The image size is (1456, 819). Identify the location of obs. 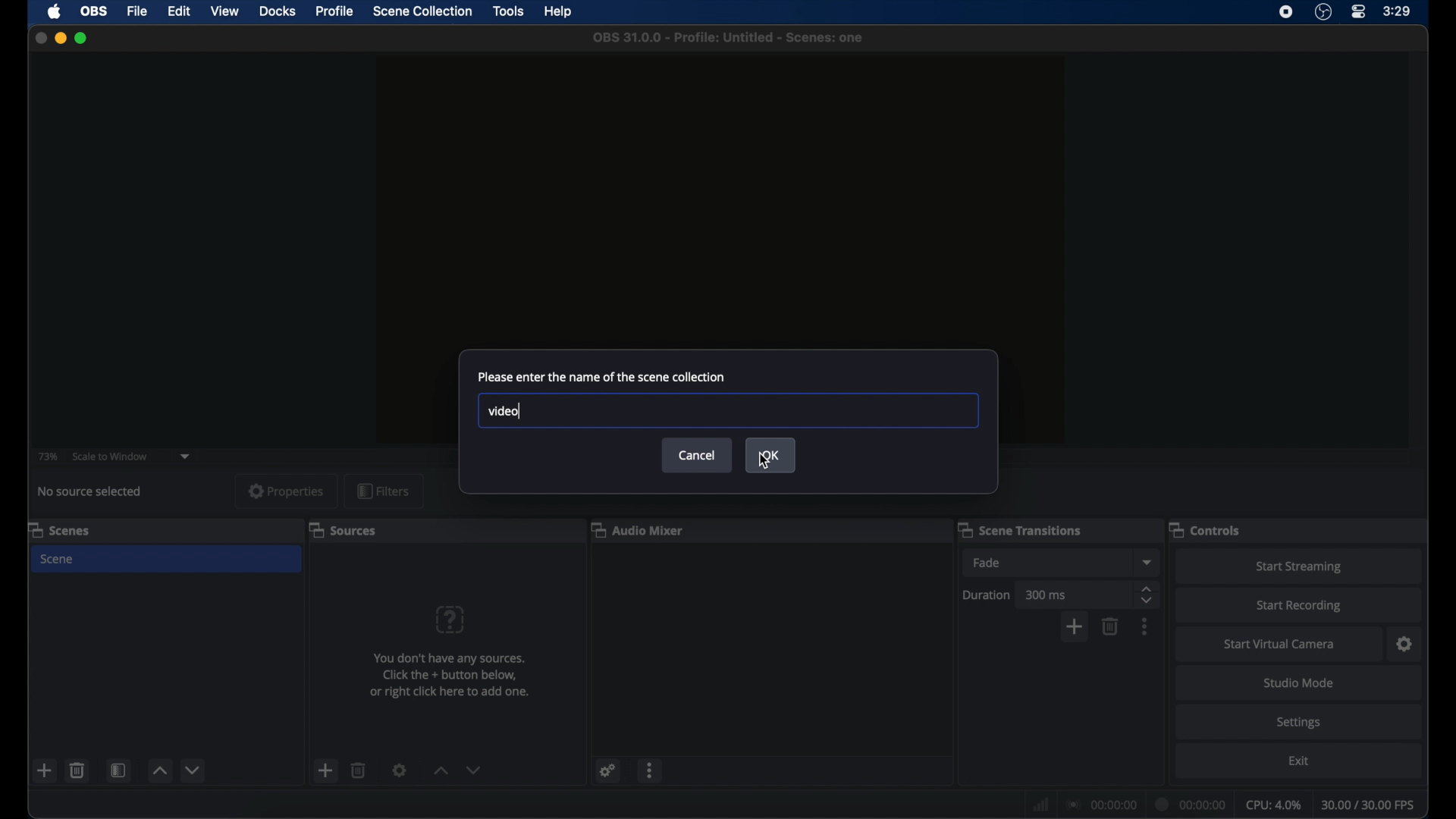
(94, 11).